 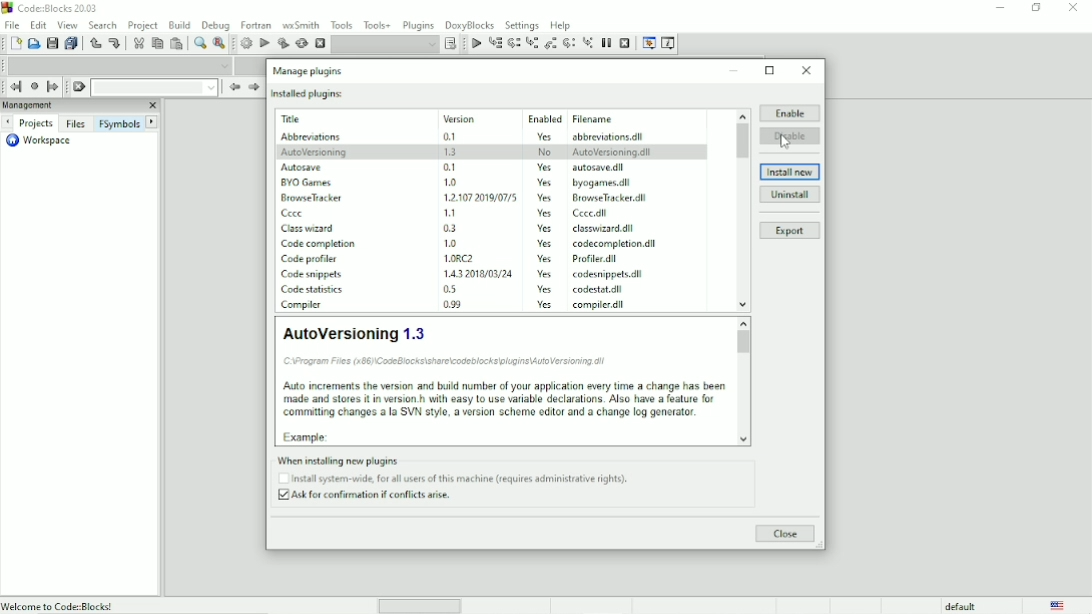 What do you see at coordinates (789, 111) in the screenshot?
I see `Enable` at bounding box center [789, 111].